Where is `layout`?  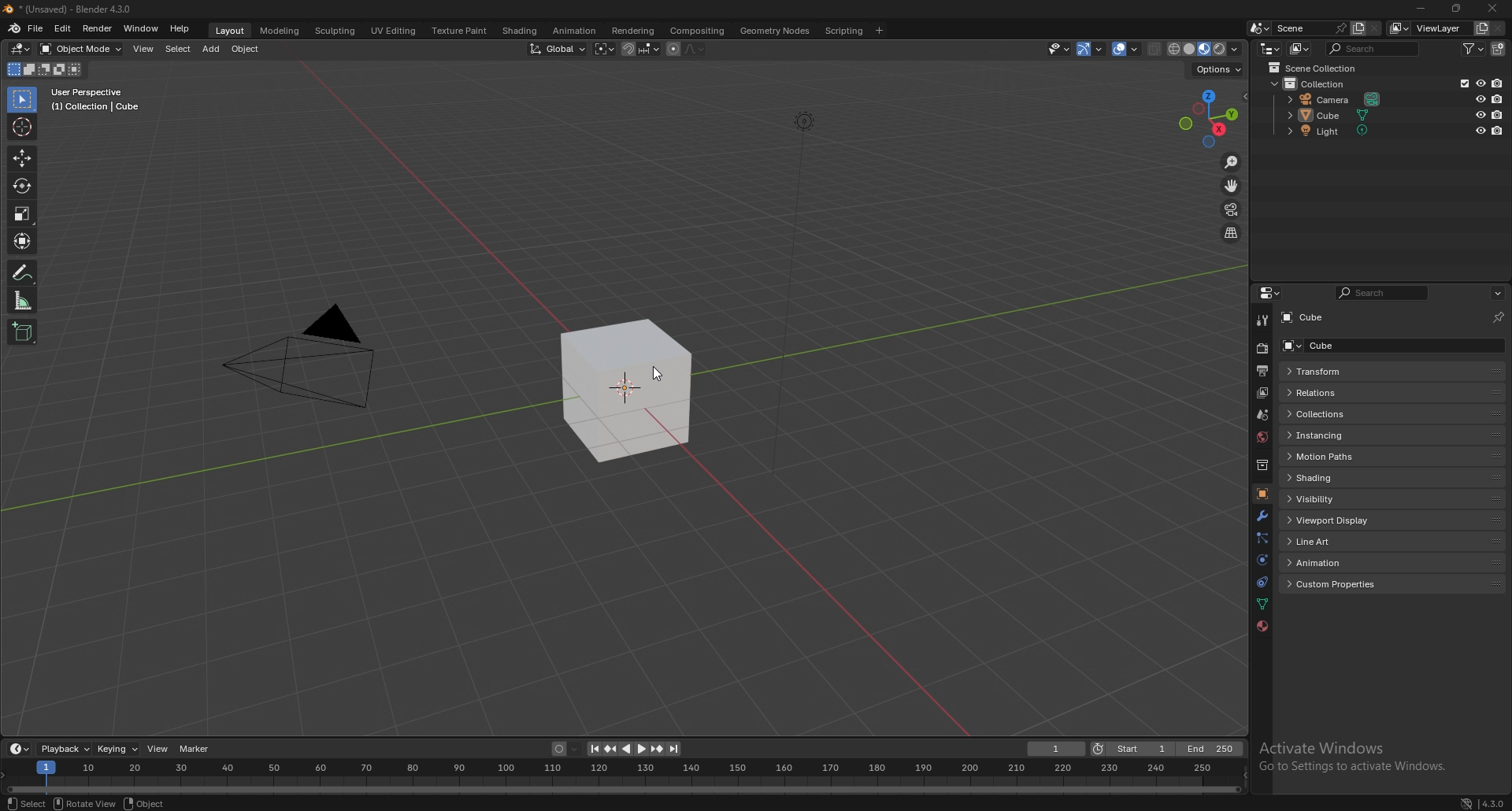 layout is located at coordinates (231, 30).